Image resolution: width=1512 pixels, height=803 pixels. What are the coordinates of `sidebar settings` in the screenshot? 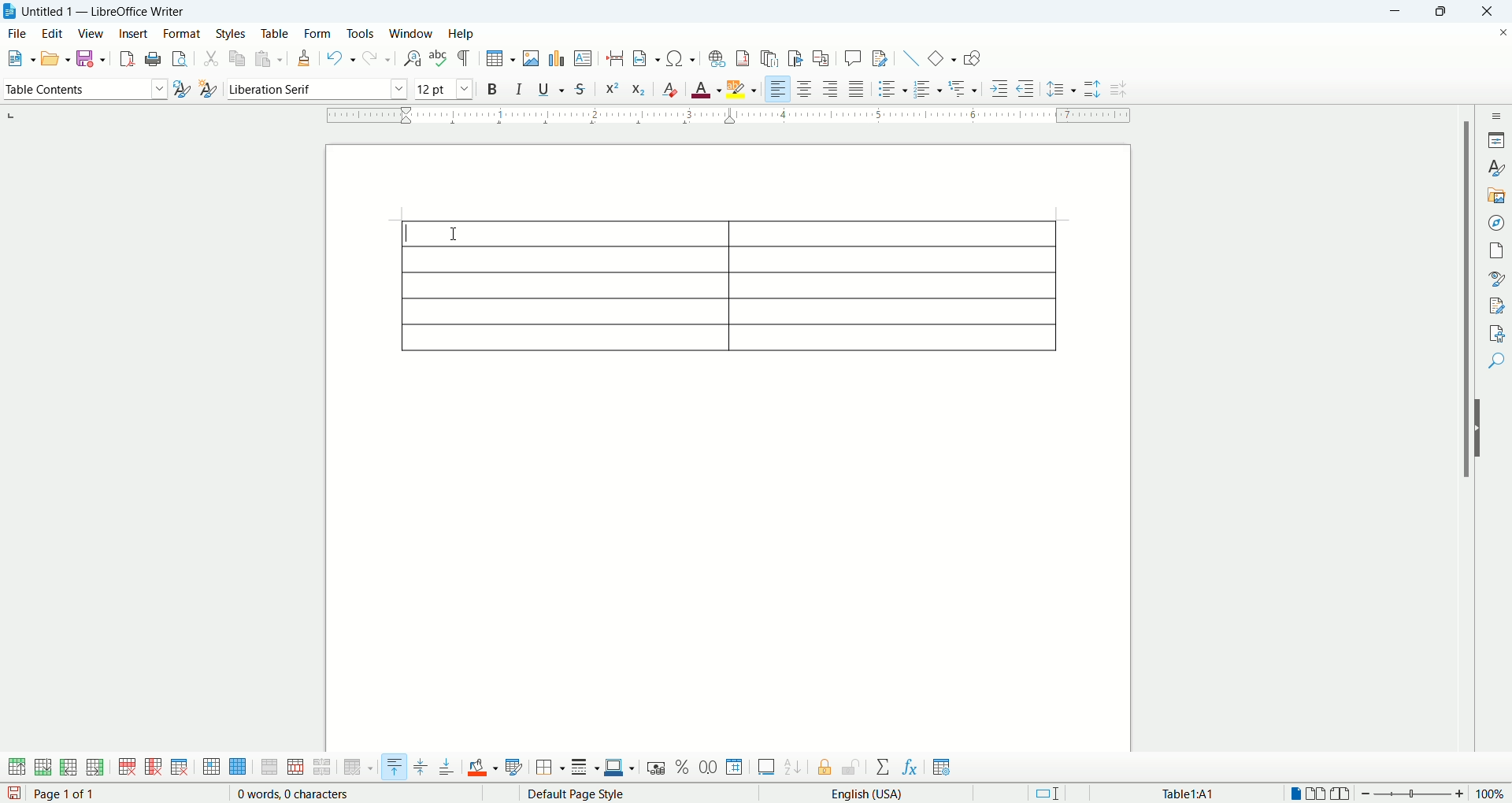 It's located at (1496, 115).